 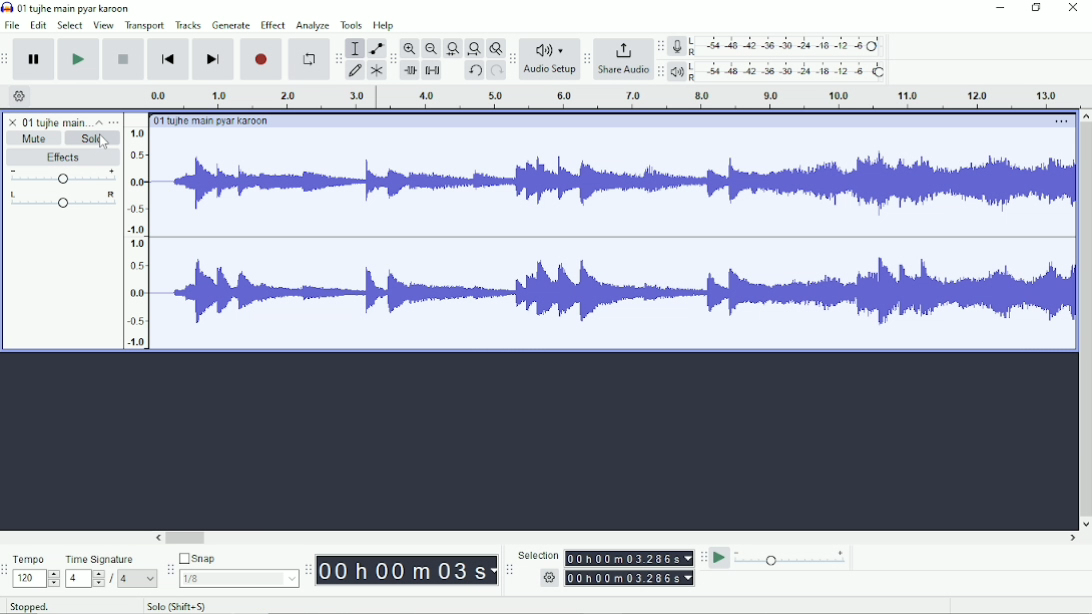 I want to click on File, so click(x=12, y=25).